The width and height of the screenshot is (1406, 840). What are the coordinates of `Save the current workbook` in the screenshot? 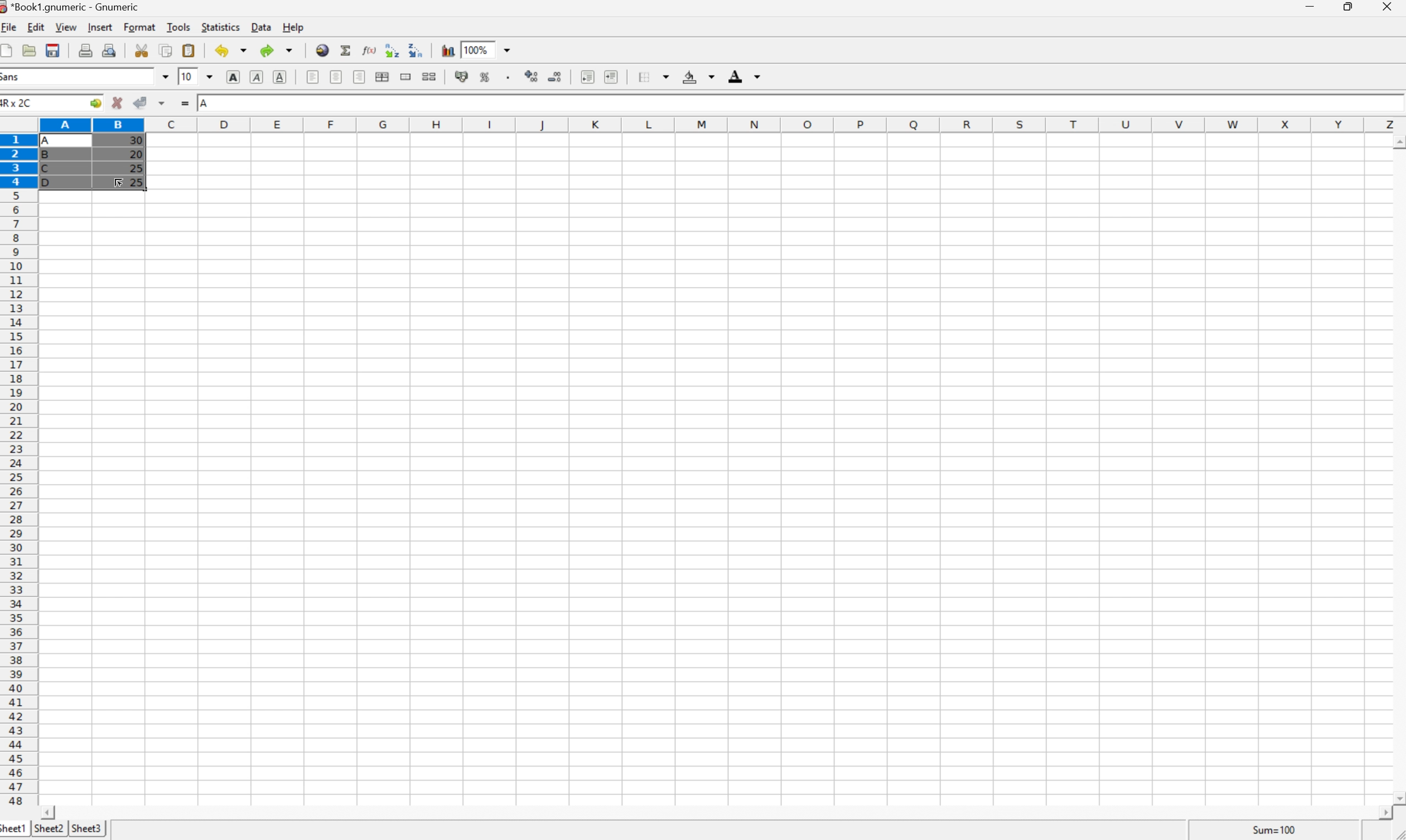 It's located at (52, 50).